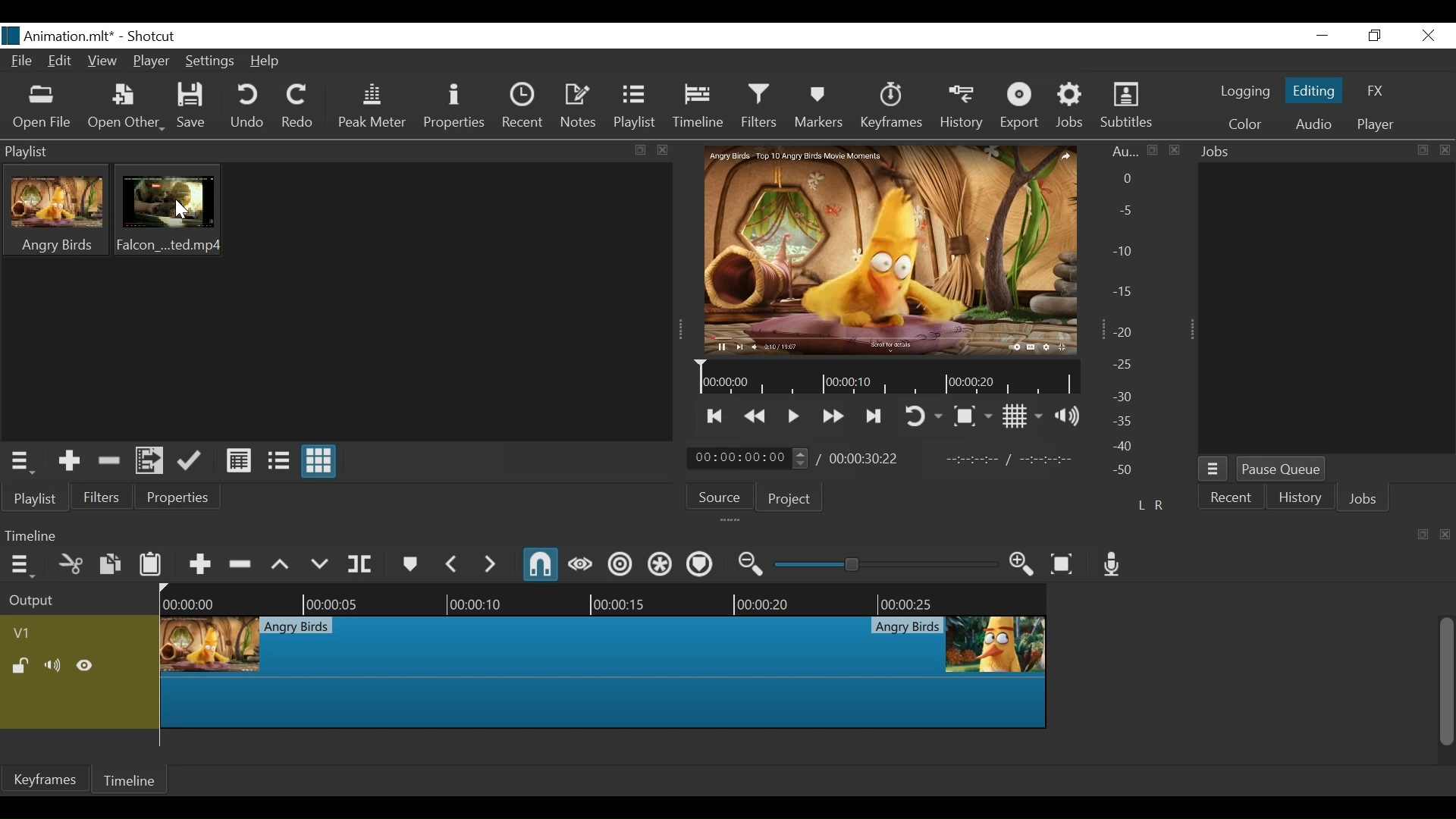 Image resolution: width=1456 pixels, height=819 pixels. Describe the element at coordinates (635, 108) in the screenshot. I see `Playlist` at that location.